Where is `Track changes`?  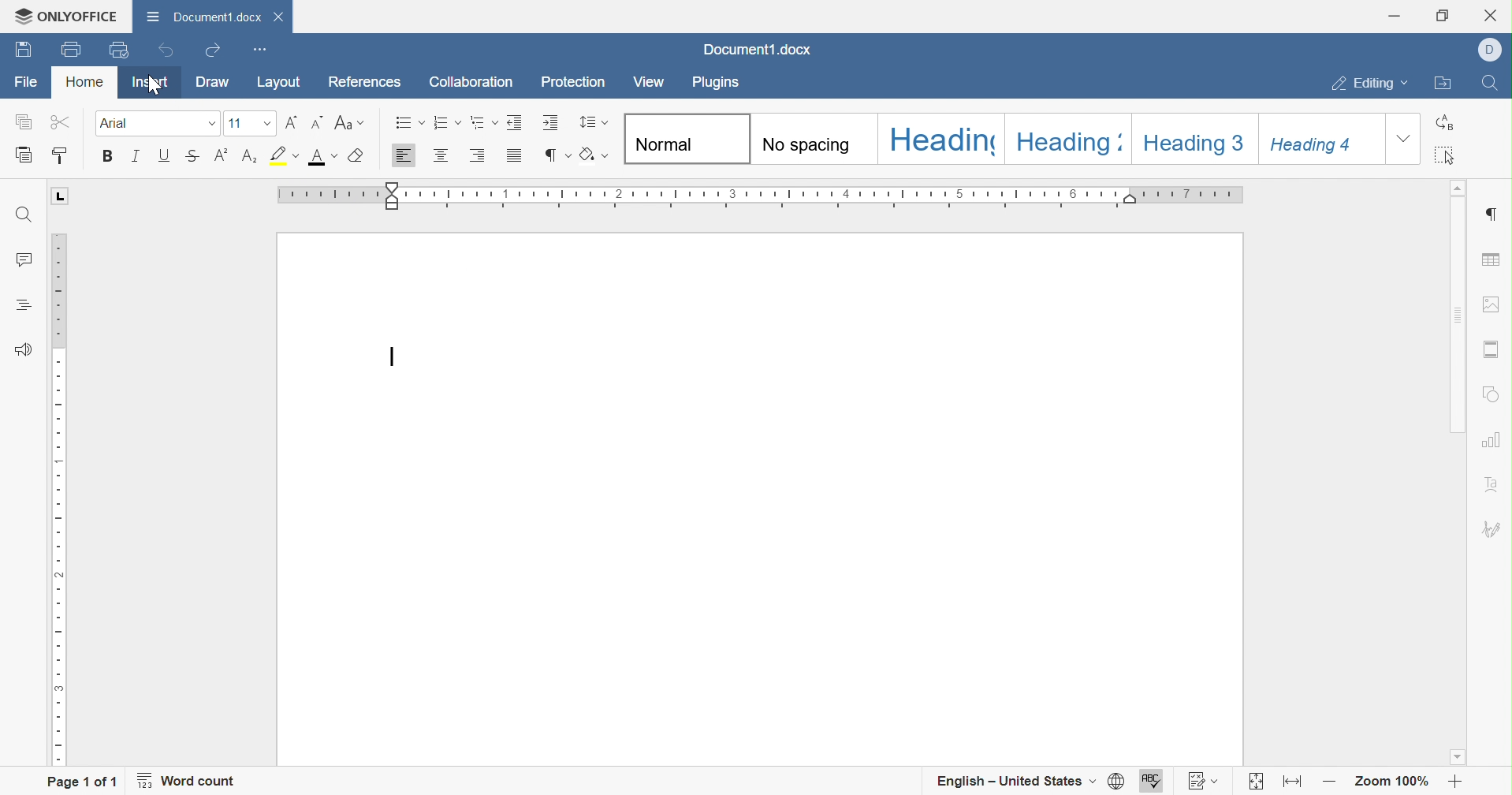
Track changes is located at coordinates (1205, 780).